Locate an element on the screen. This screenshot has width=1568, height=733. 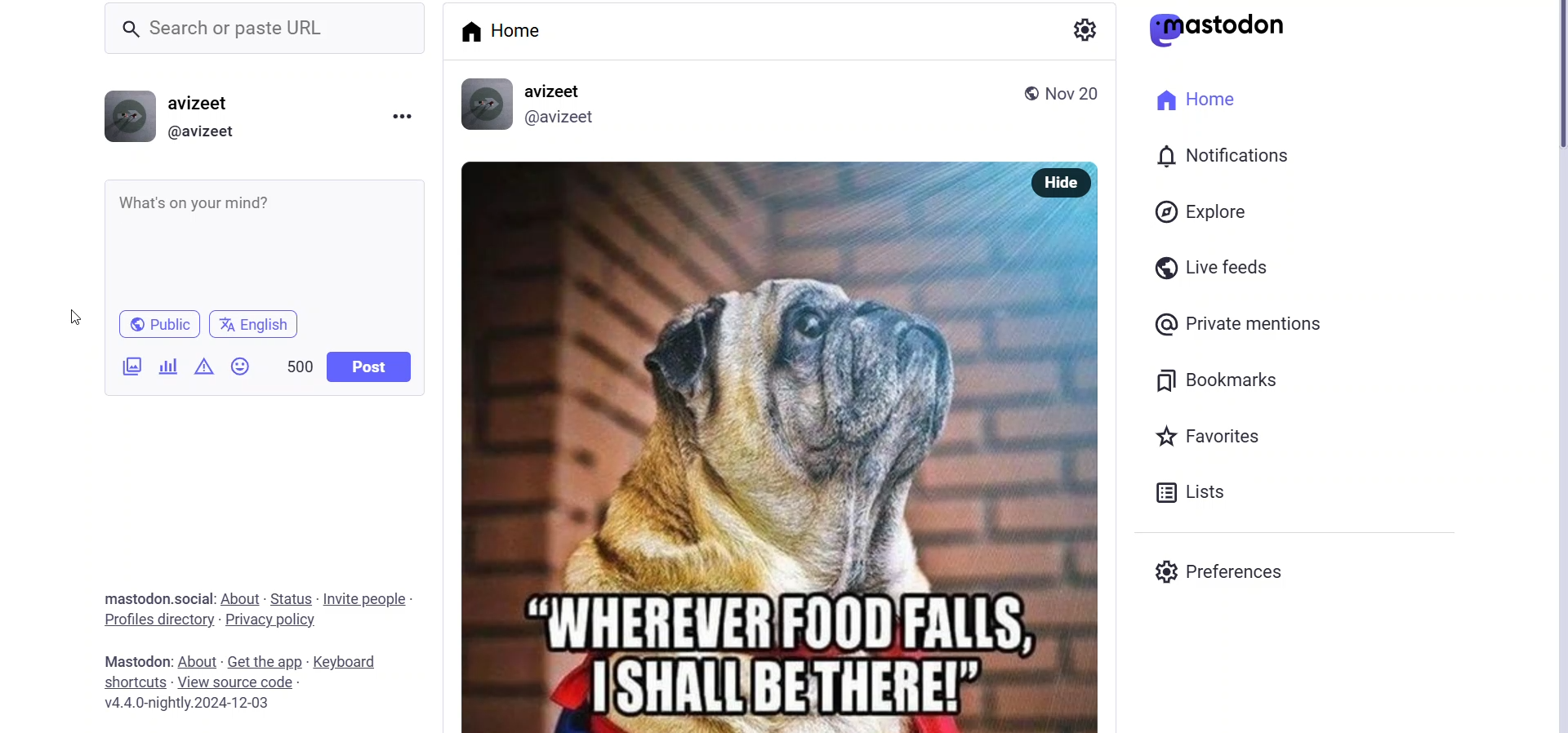
private mentions is located at coordinates (1238, 323).